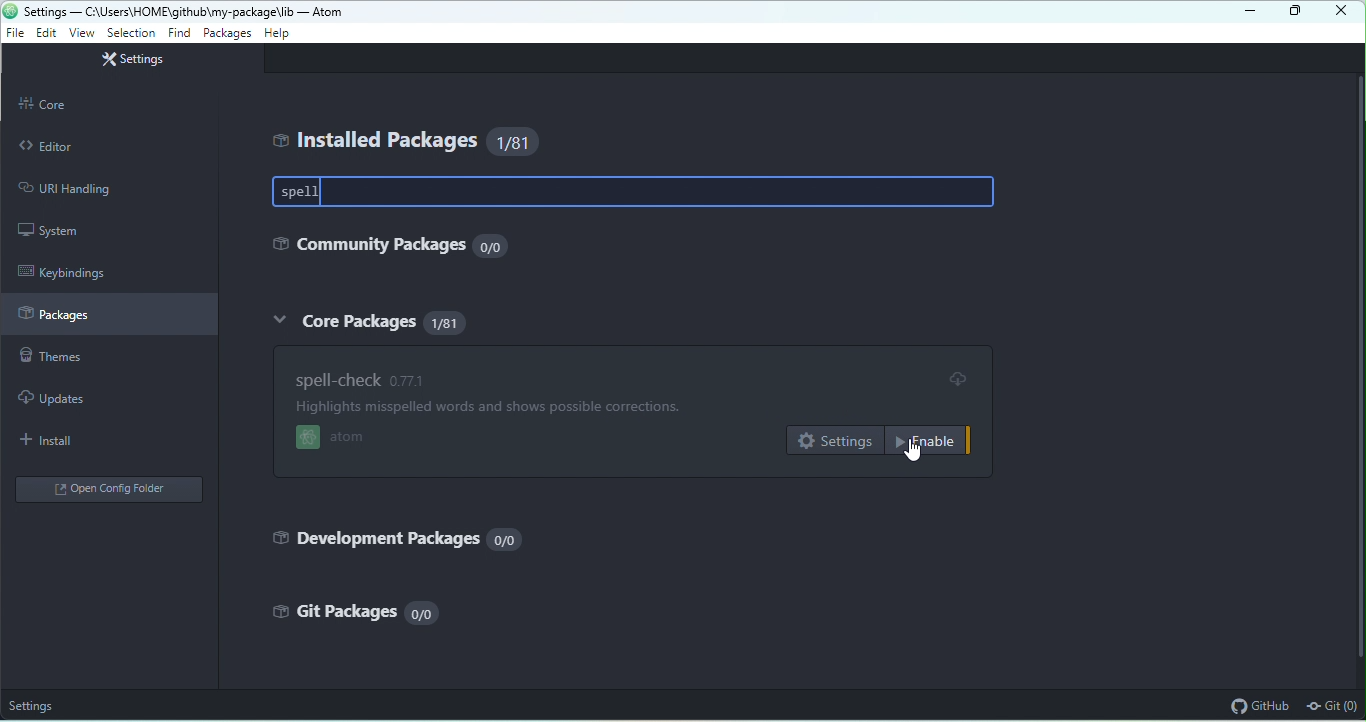 The image size is (1366, 722). Describe the element at coordinates (179, 33) in the screenshot. I see `find` at that location.